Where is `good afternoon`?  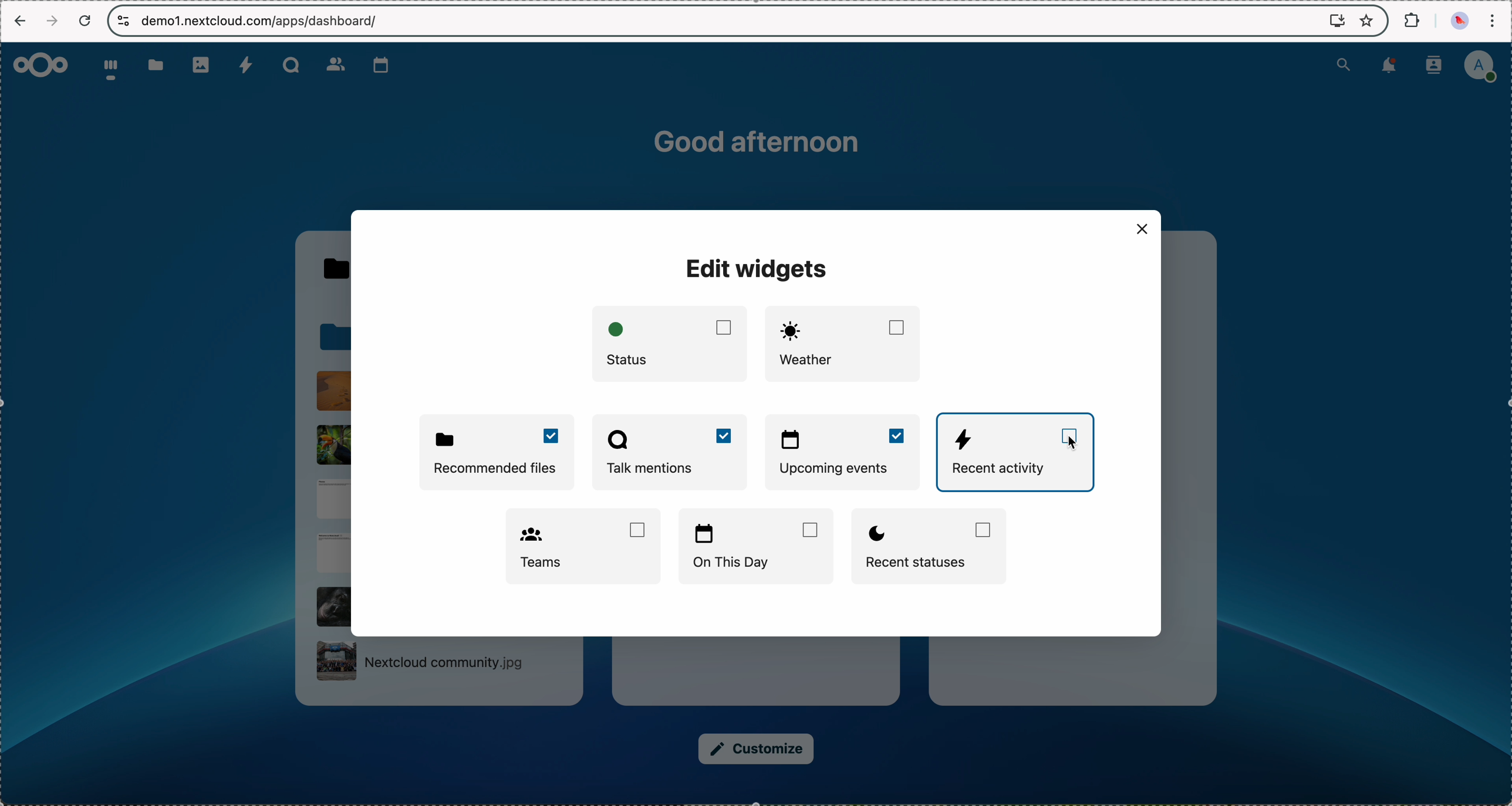 good afternoon is located at coordinates (761, 141).